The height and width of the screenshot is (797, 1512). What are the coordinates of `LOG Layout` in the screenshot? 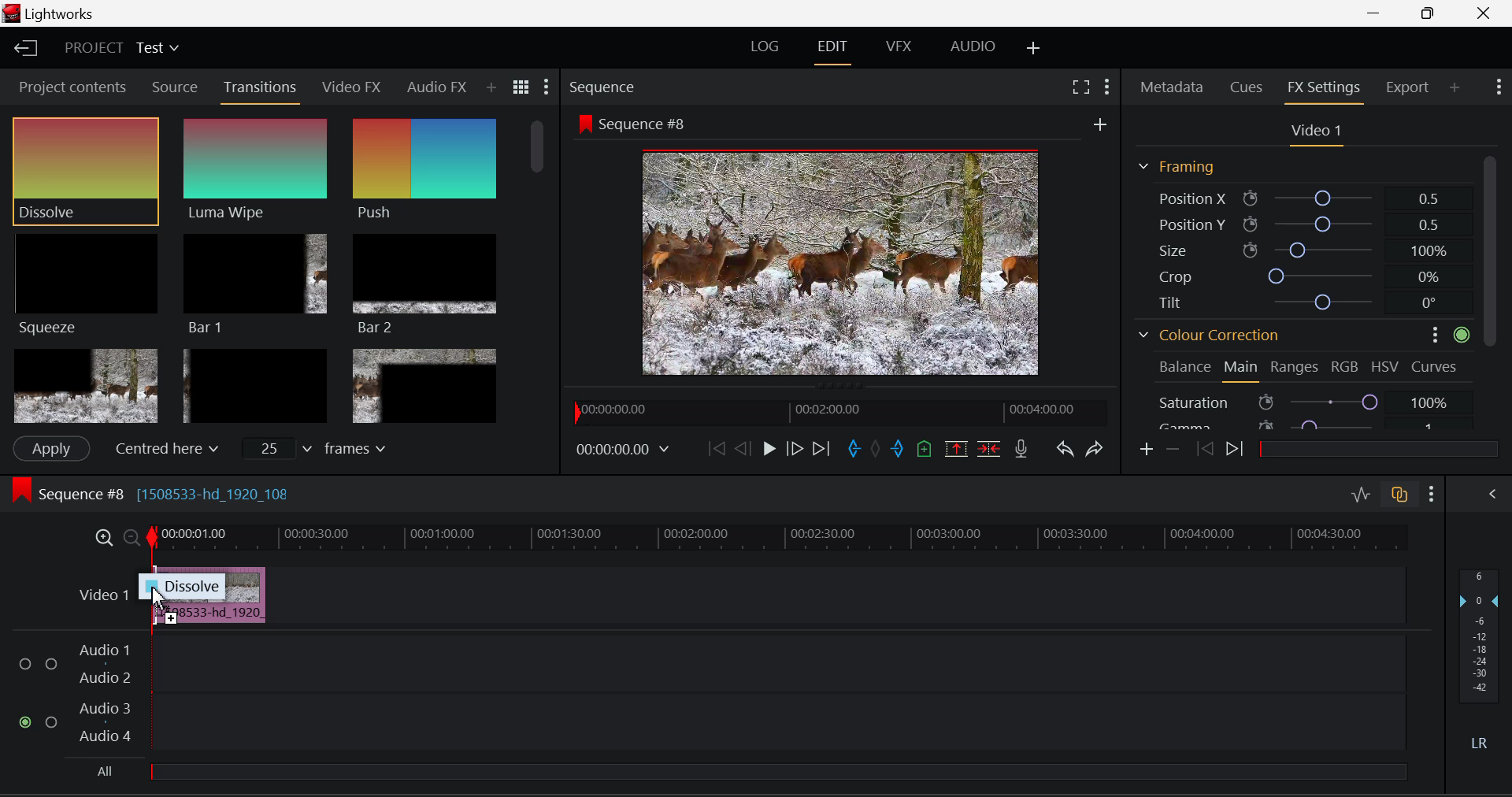 It's located at (767, 50).